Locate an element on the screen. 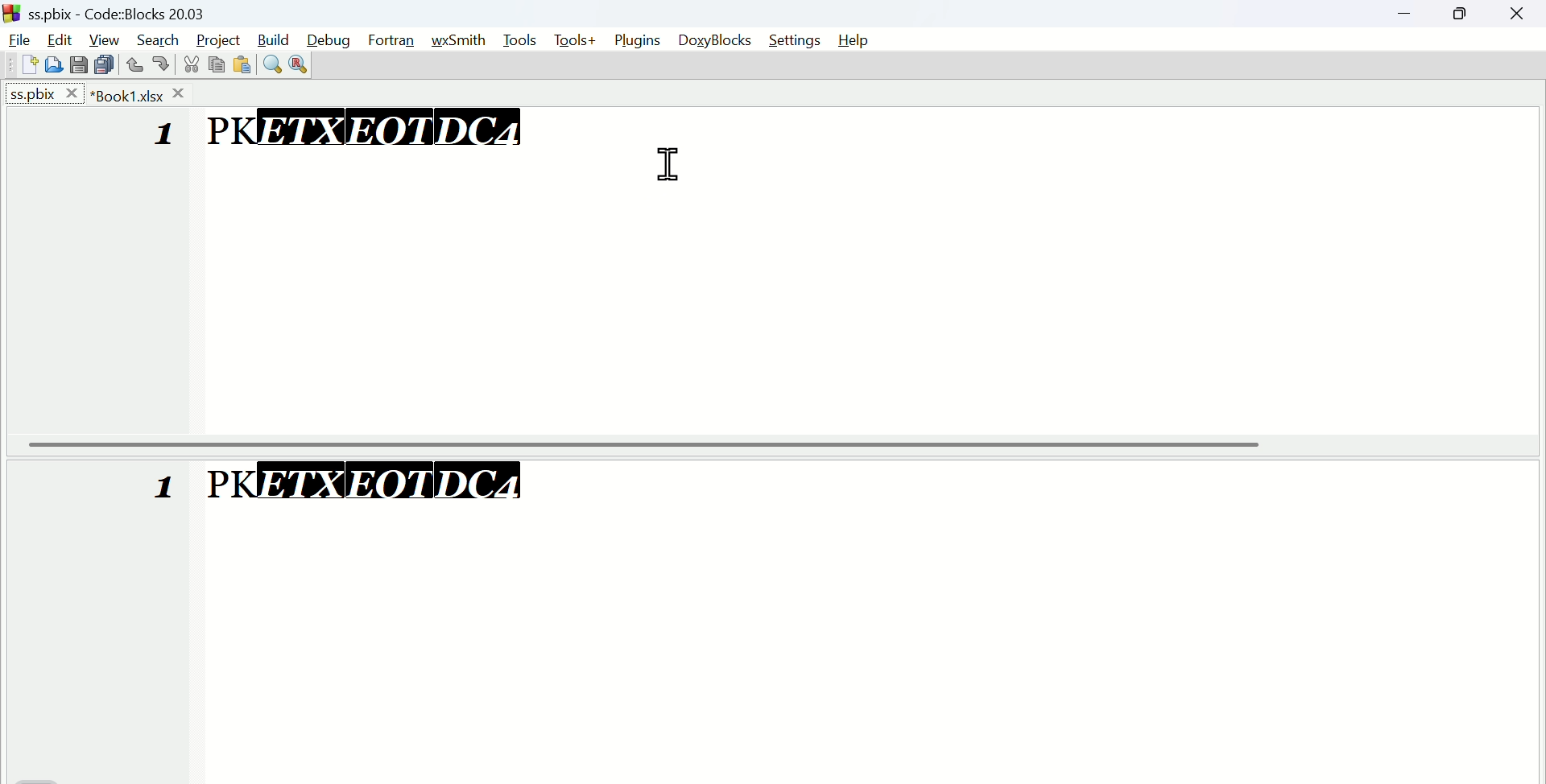 This screenshot has width=1546, height=784. Fortran is located at coordinates (396, 41).